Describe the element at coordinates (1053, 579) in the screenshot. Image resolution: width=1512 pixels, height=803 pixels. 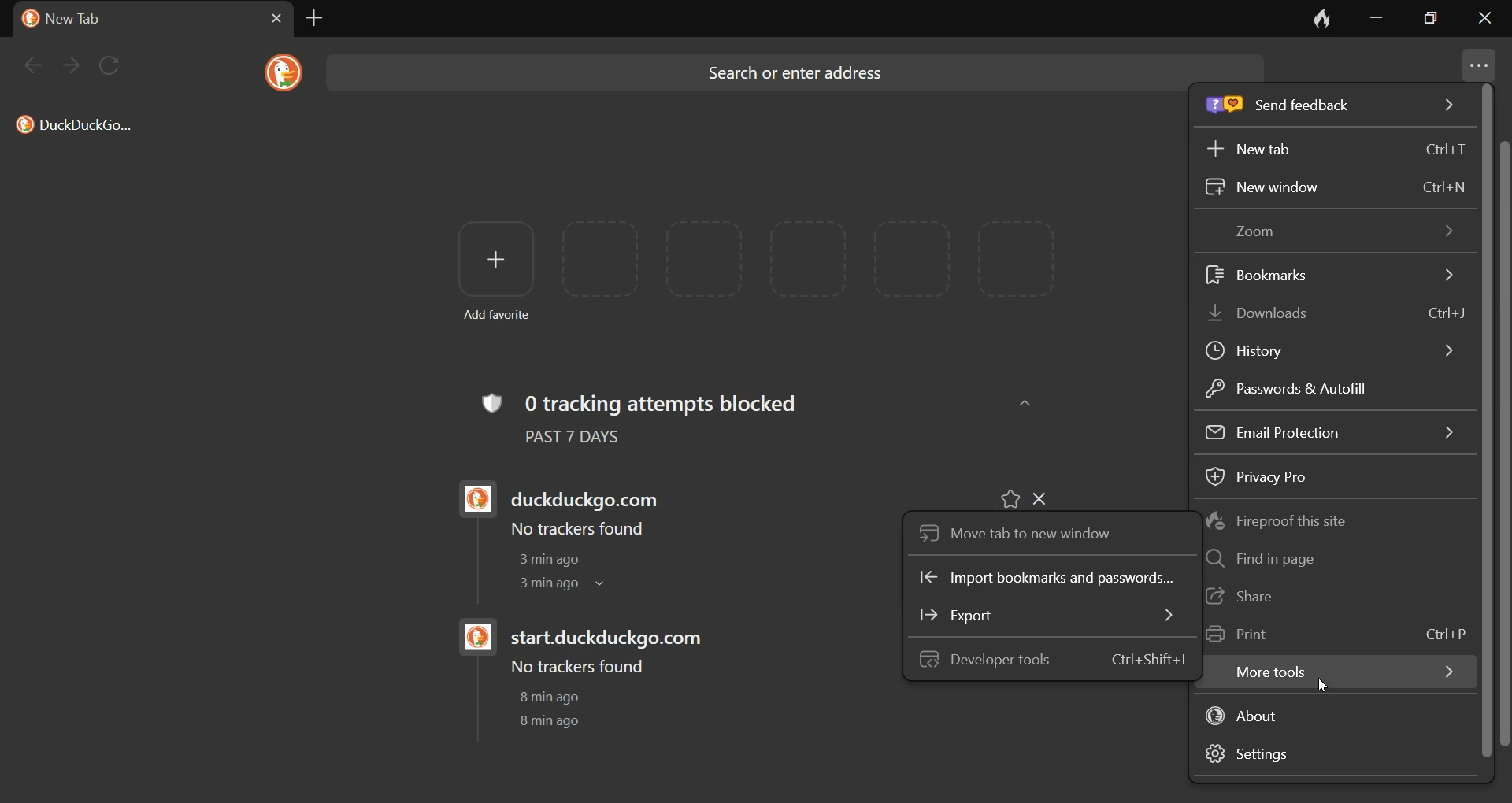
I see `Import bookmarks and passwords` at that location.